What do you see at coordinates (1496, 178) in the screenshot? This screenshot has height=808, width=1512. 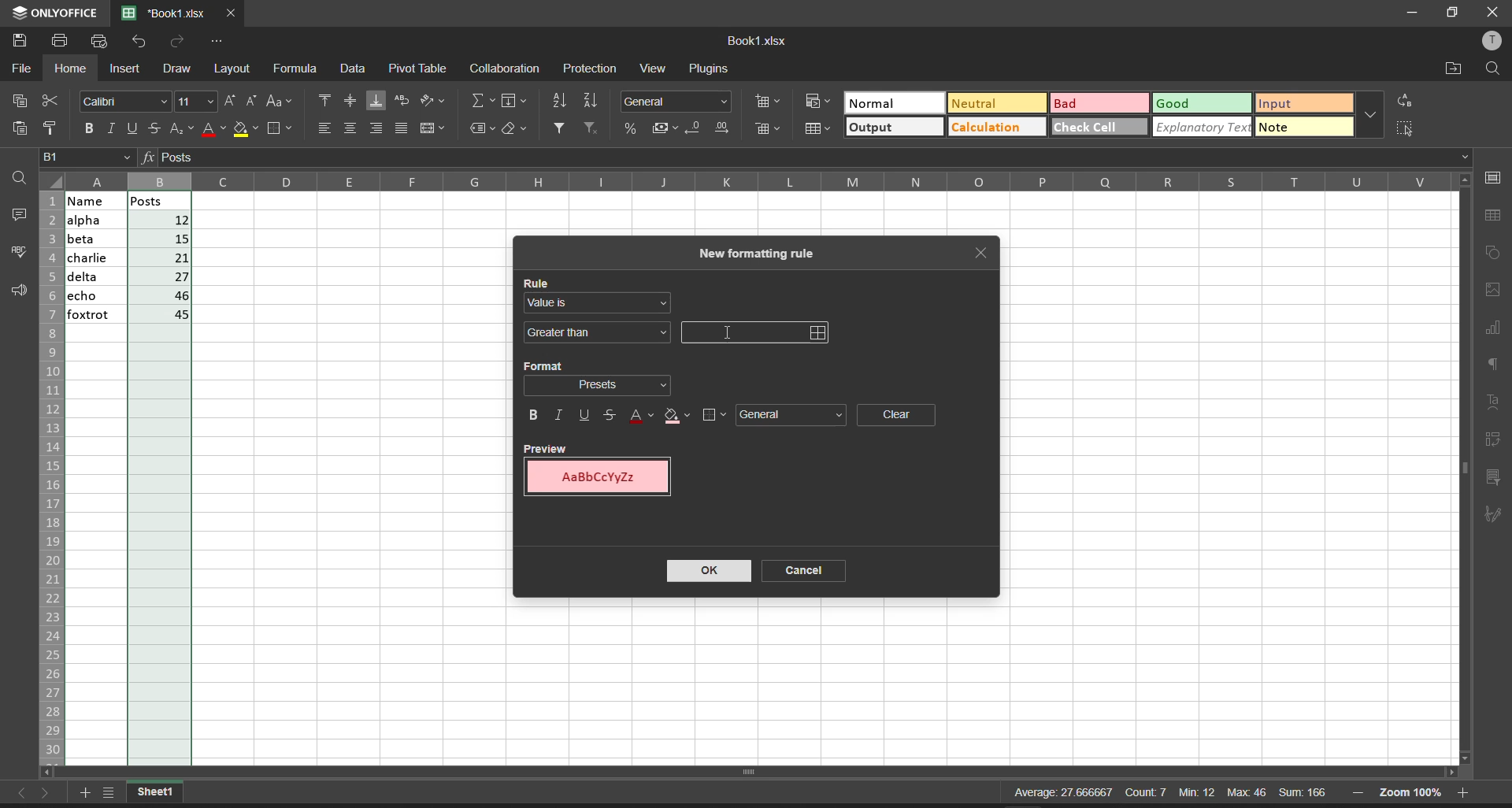 I see `cell settings` at bounding box center [1496, 178].